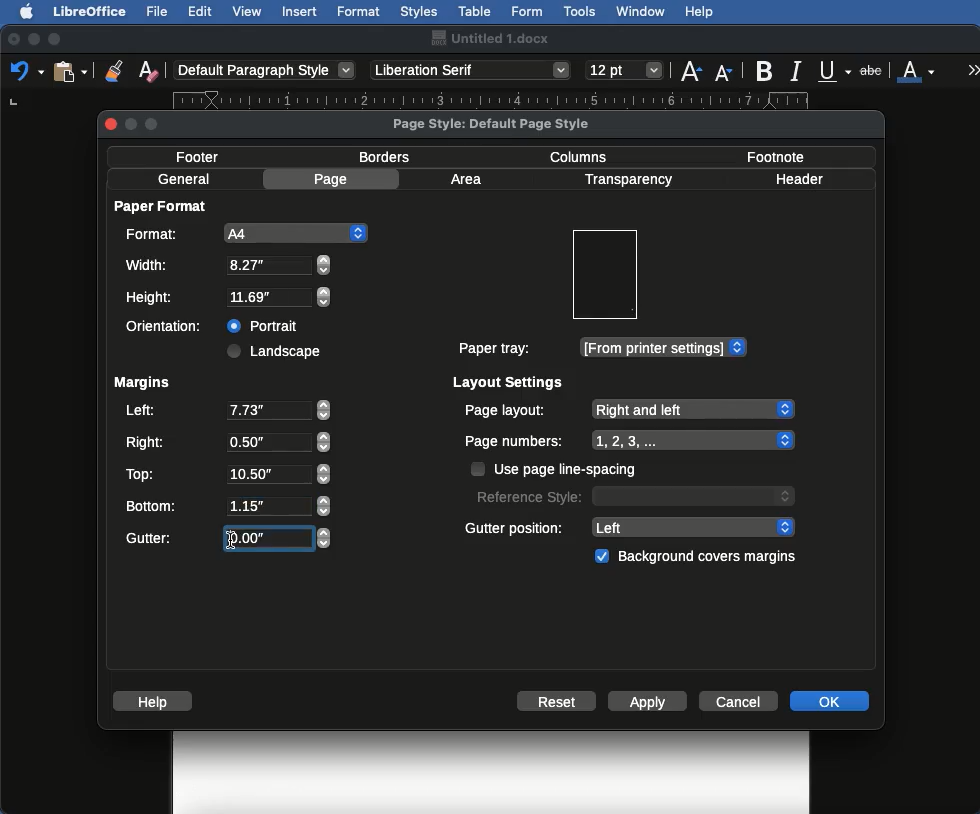 Image resolution: width=980 pixels, height=814 pixels. I want to click on Gutter, so click(228, 539).